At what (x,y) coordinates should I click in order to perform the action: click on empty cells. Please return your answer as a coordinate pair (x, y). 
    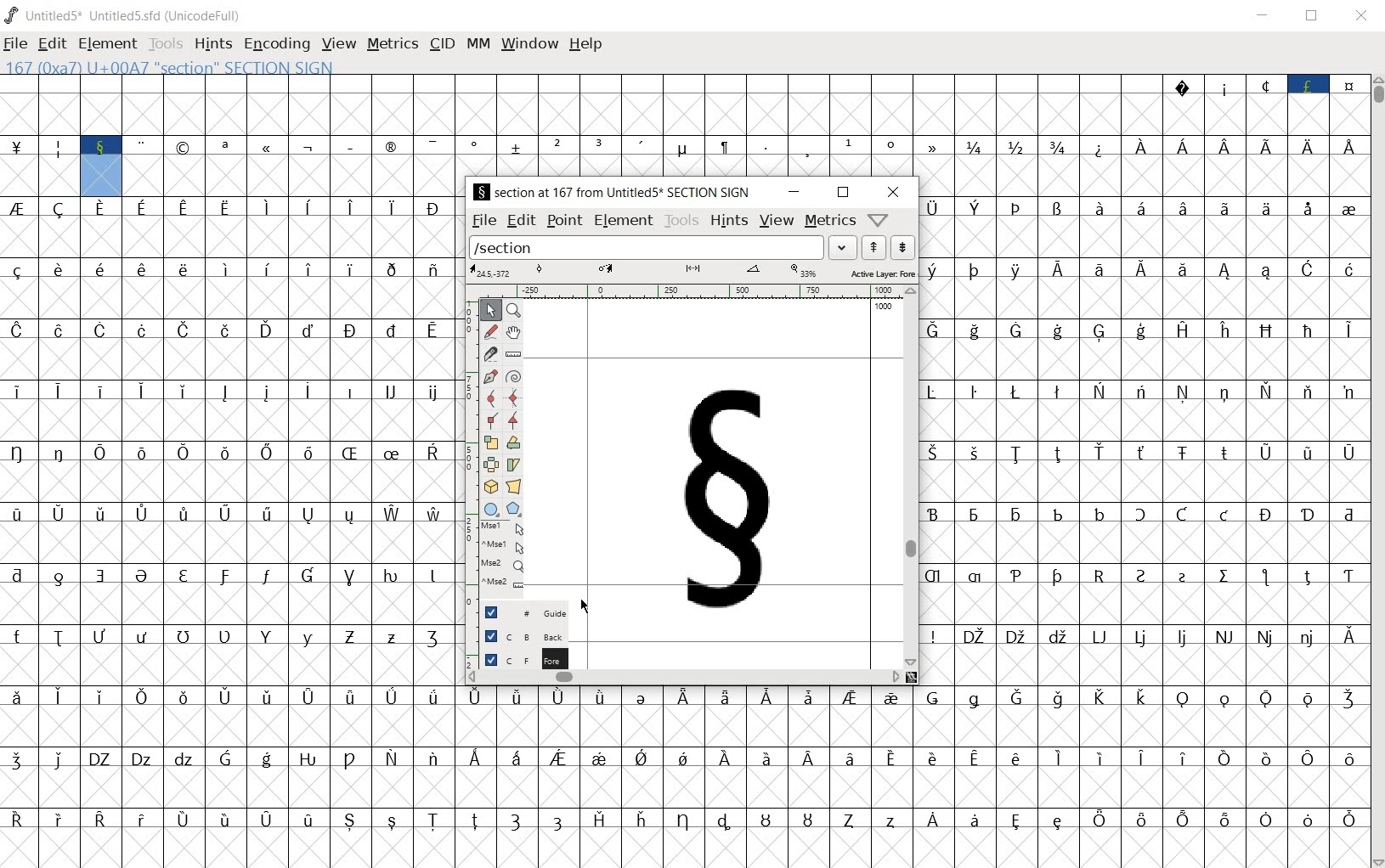
    Looking at the image, I should click on (229, 482).